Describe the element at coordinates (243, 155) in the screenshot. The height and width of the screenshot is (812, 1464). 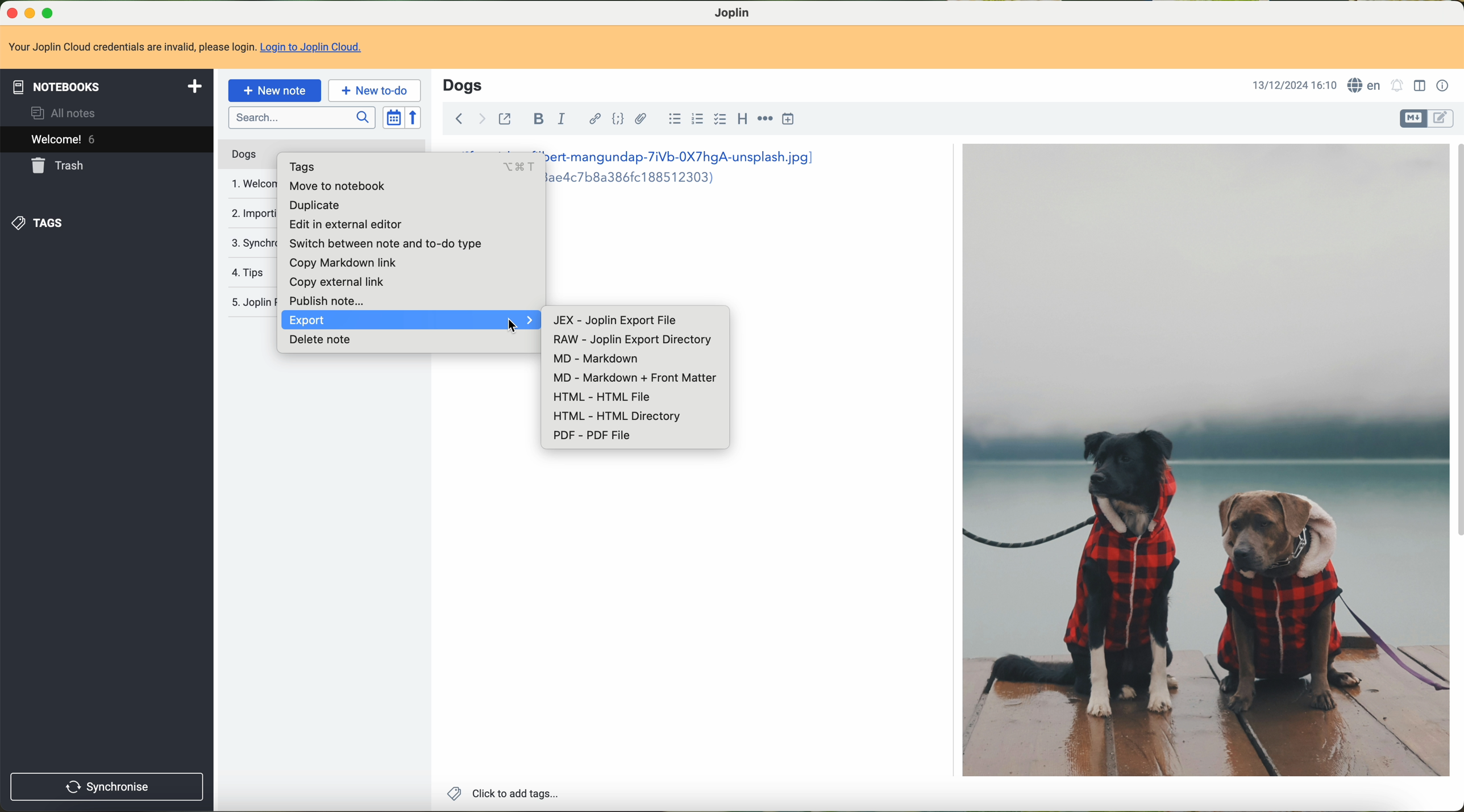
I see `dogs note` at that location.